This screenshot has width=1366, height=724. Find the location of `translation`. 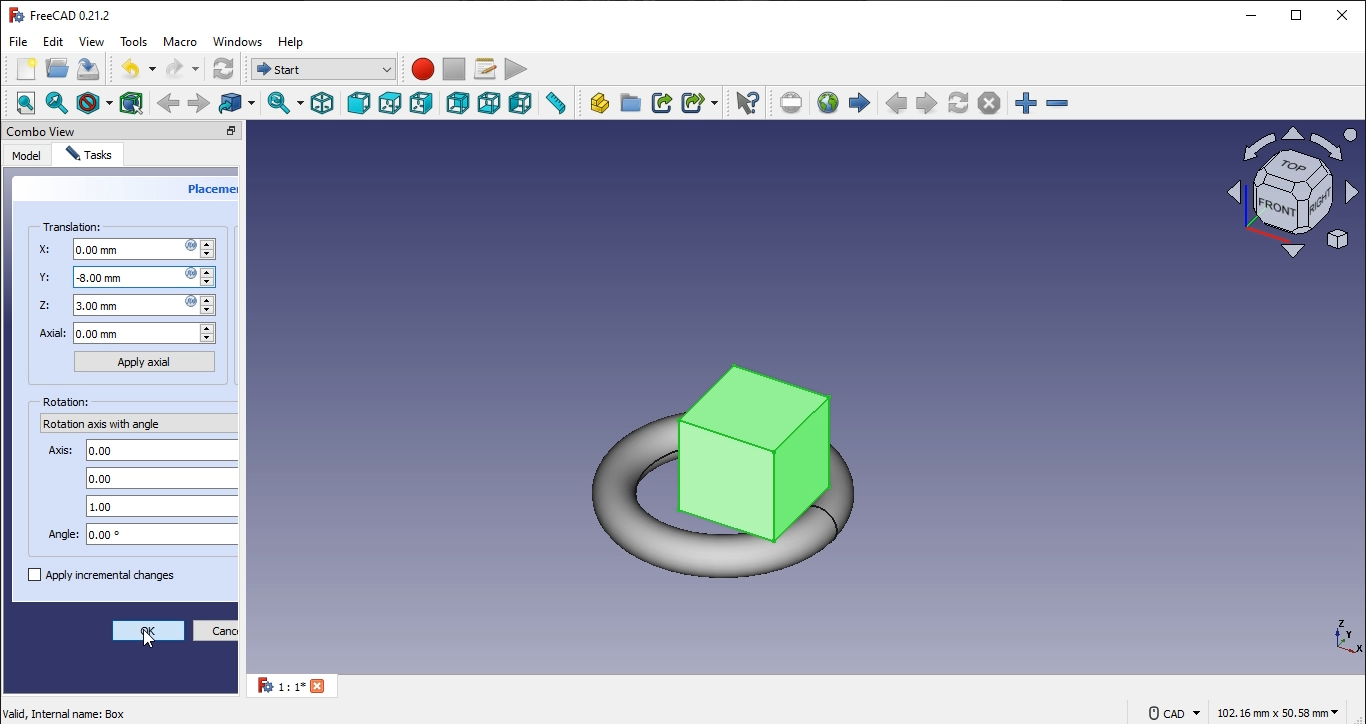

translation is located at coordinates (73, 227).